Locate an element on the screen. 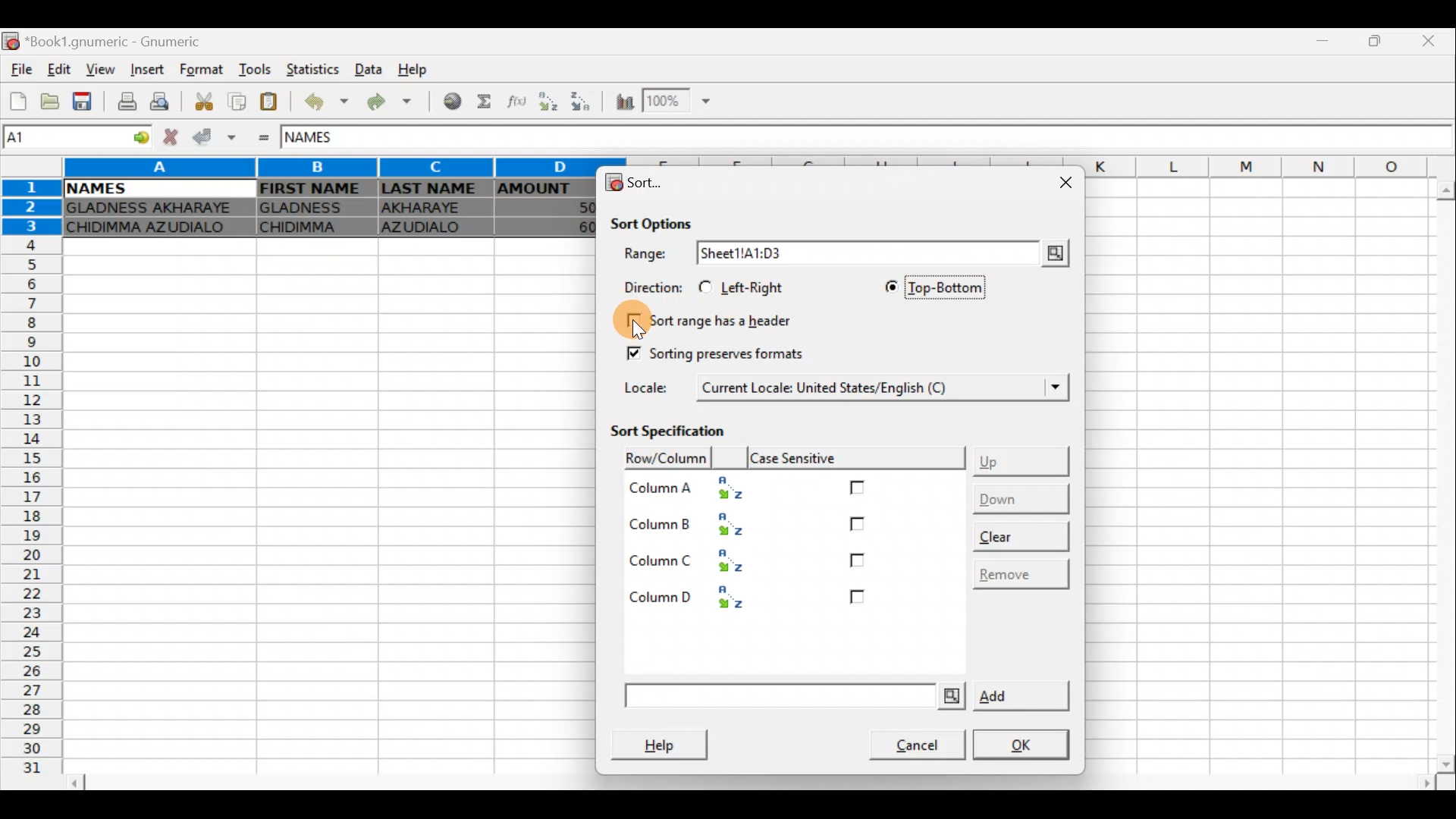  Redo undone action is located at coordinates (395, 105).